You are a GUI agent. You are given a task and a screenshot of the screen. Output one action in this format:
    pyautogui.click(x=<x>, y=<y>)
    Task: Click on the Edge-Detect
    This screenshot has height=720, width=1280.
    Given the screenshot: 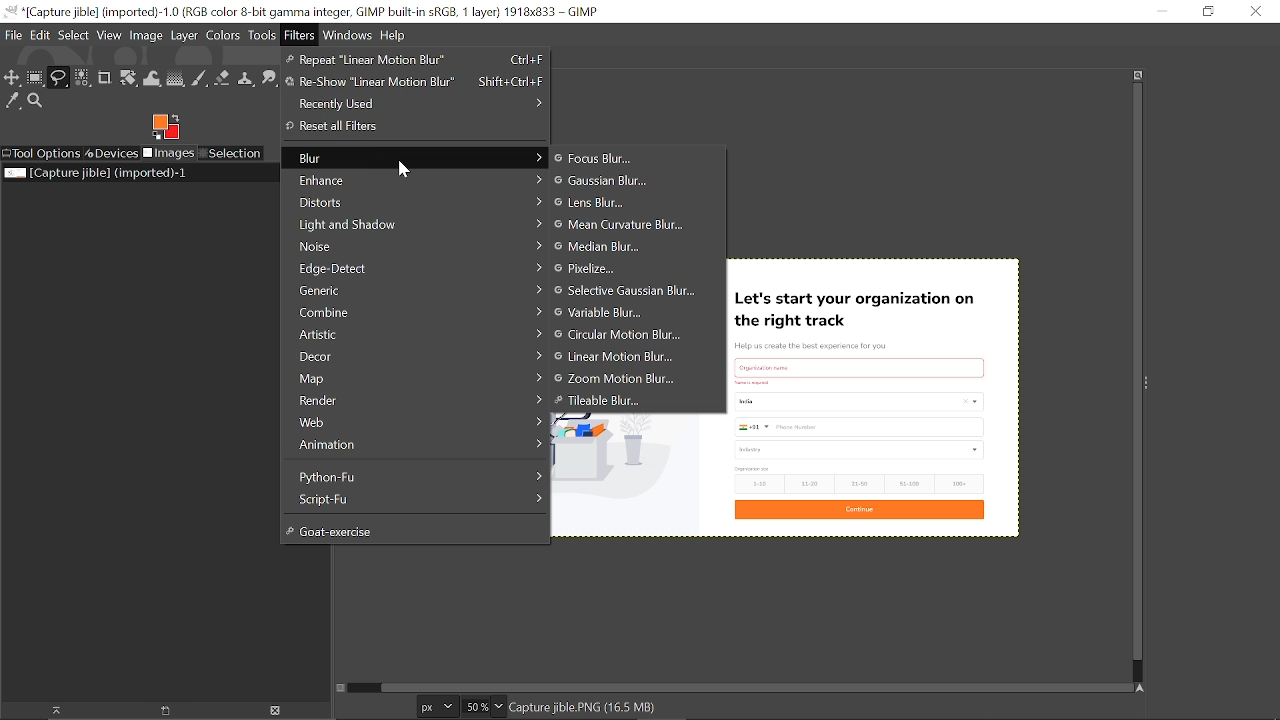 What is the action you would take?
    pyautogui.click(x=413, y=268)
    